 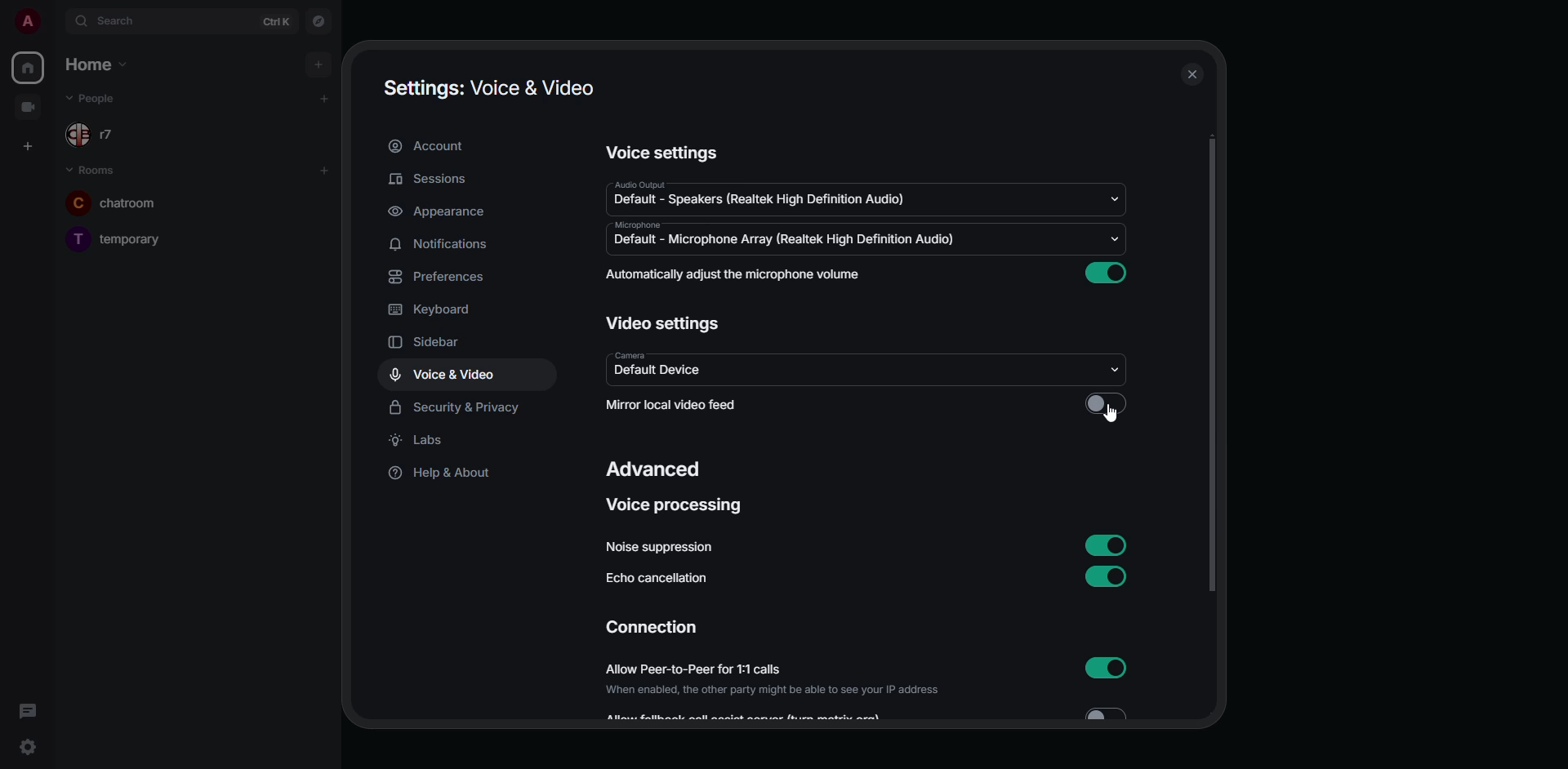 What do you see at coordinates (91, 64) in the screenshot?
I see `home` at bounding box center [91, 64].